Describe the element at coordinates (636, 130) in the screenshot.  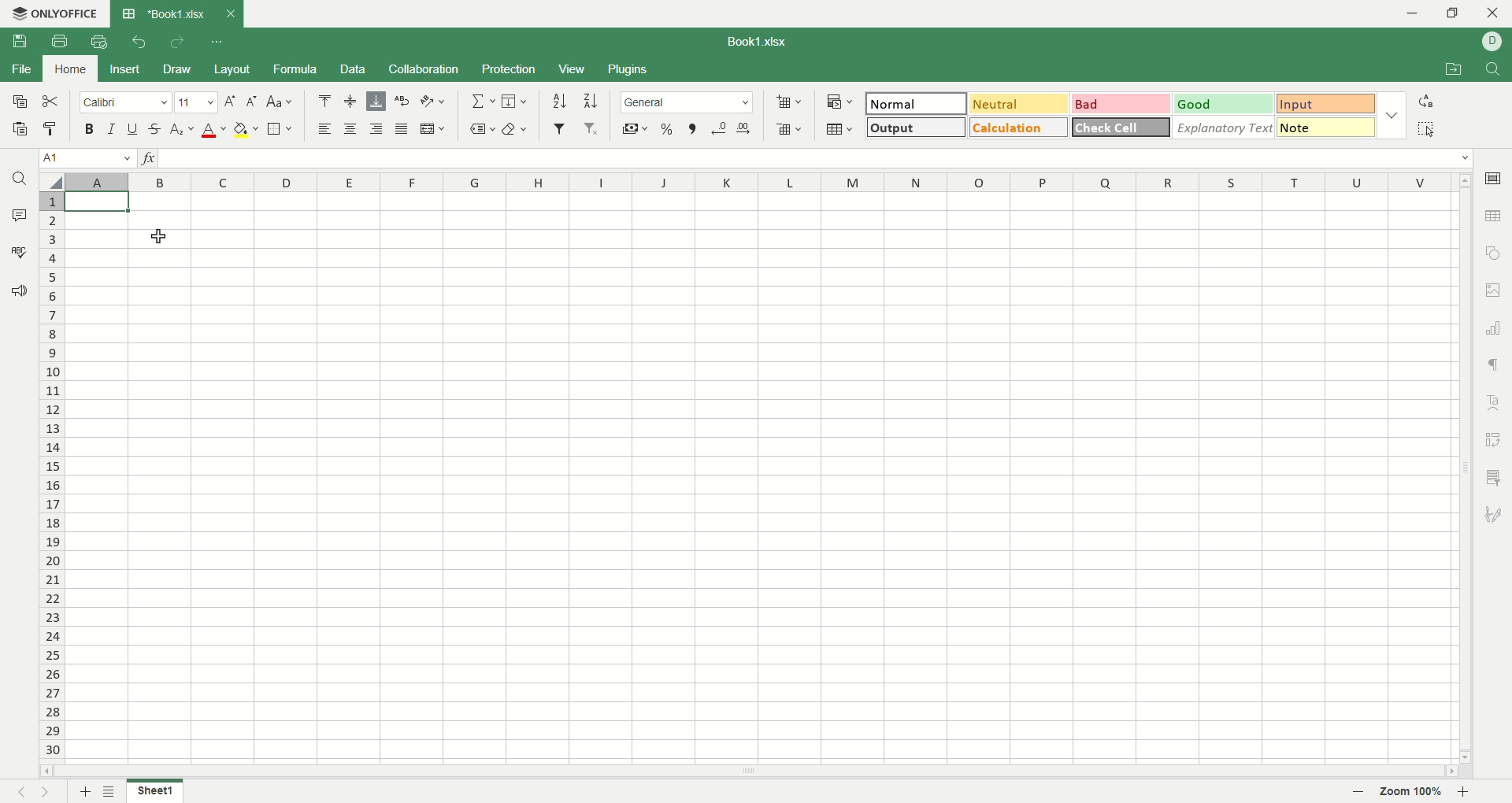
I see `currency style` at that location.